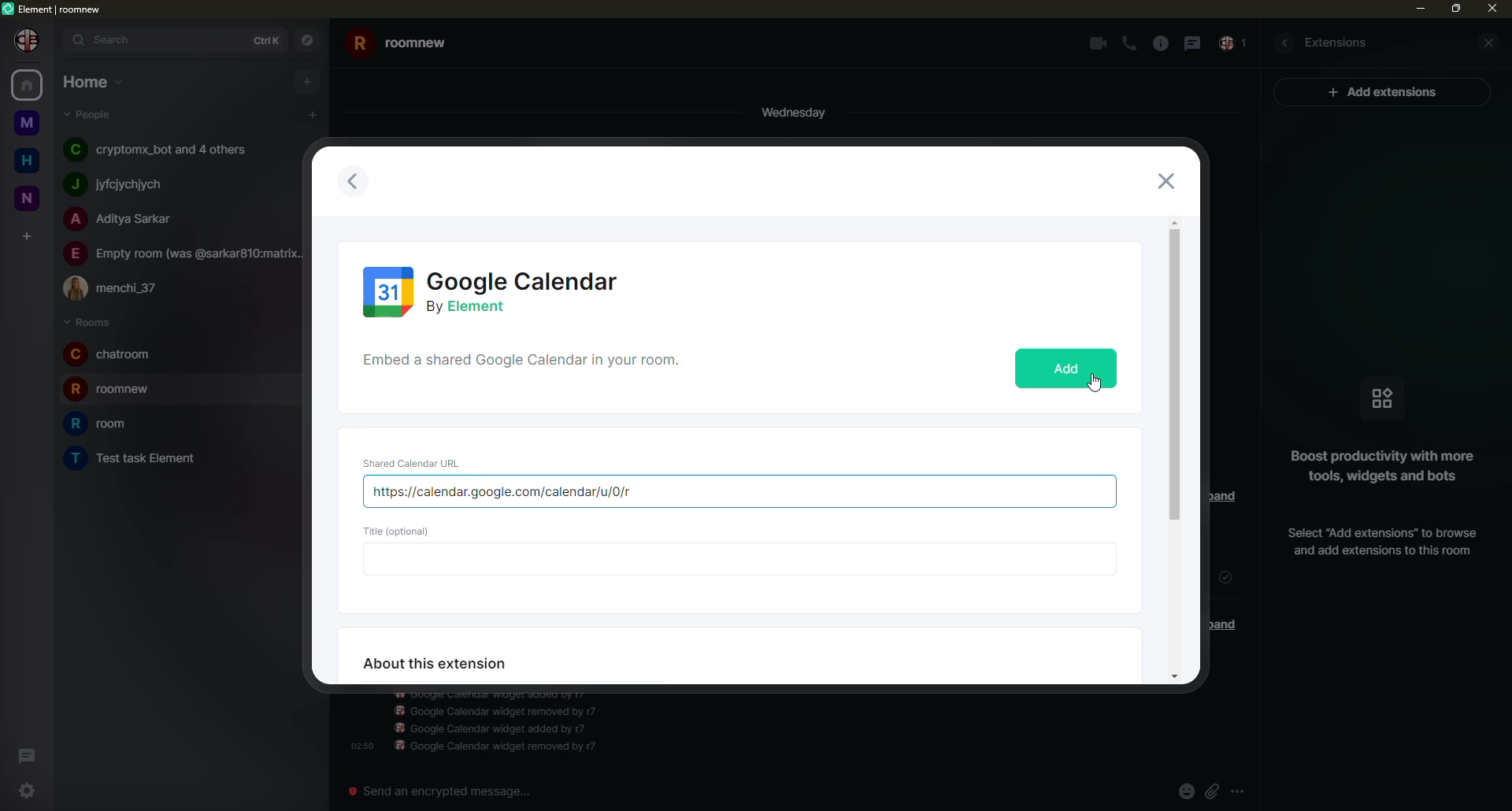  Describe the element at coordinates (118, 287) in the screenshot. I see `people` at that location.